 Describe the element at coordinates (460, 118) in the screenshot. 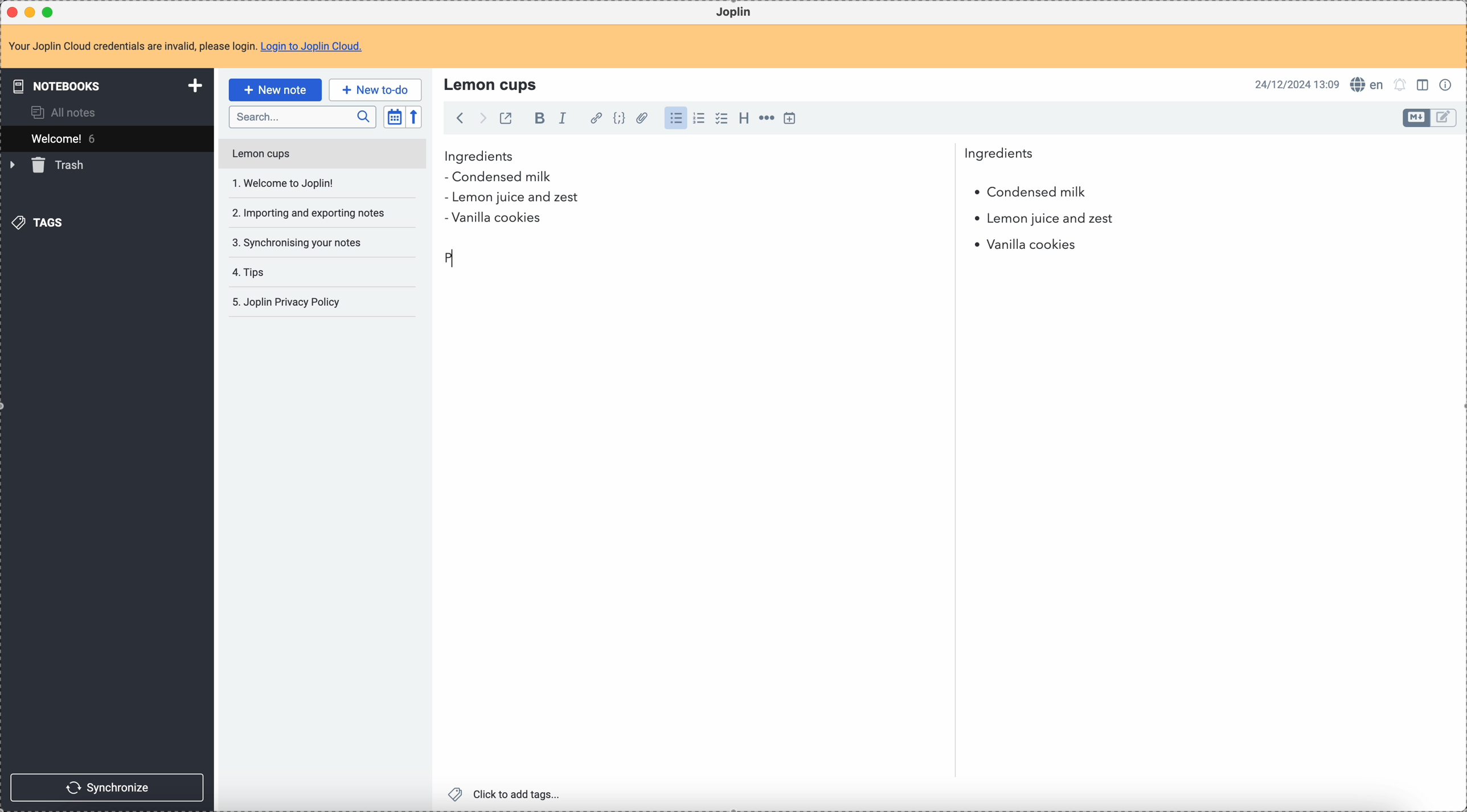

I see `back` at that location.